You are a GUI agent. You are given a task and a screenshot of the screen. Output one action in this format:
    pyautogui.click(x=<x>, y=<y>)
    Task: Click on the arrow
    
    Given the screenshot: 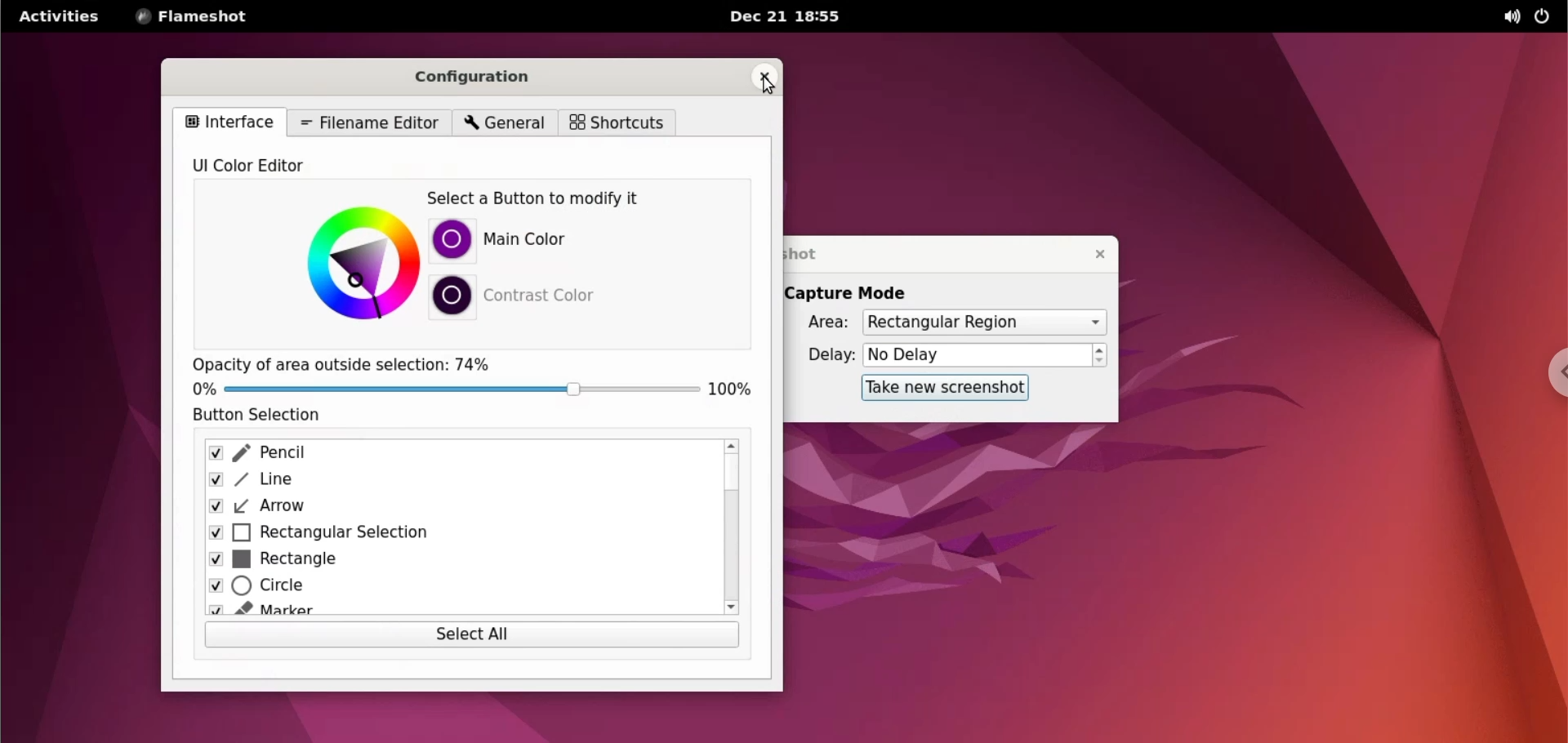 What is the action you would take?
    pyautogui.click(x=447, y=506)
    